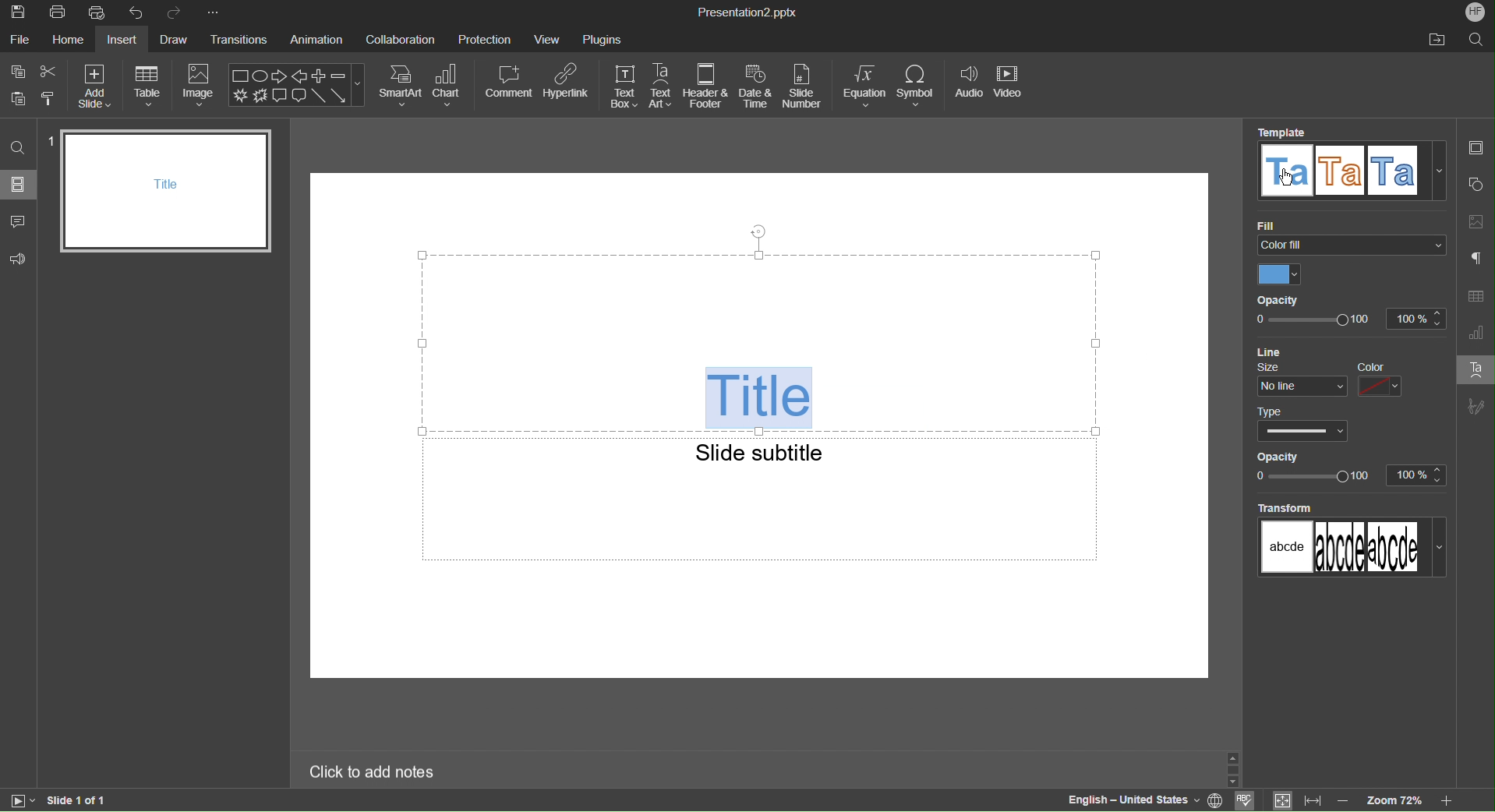 This screenshot has height=812, width=1495. I want to click on zoom out, so click(1345, 799).